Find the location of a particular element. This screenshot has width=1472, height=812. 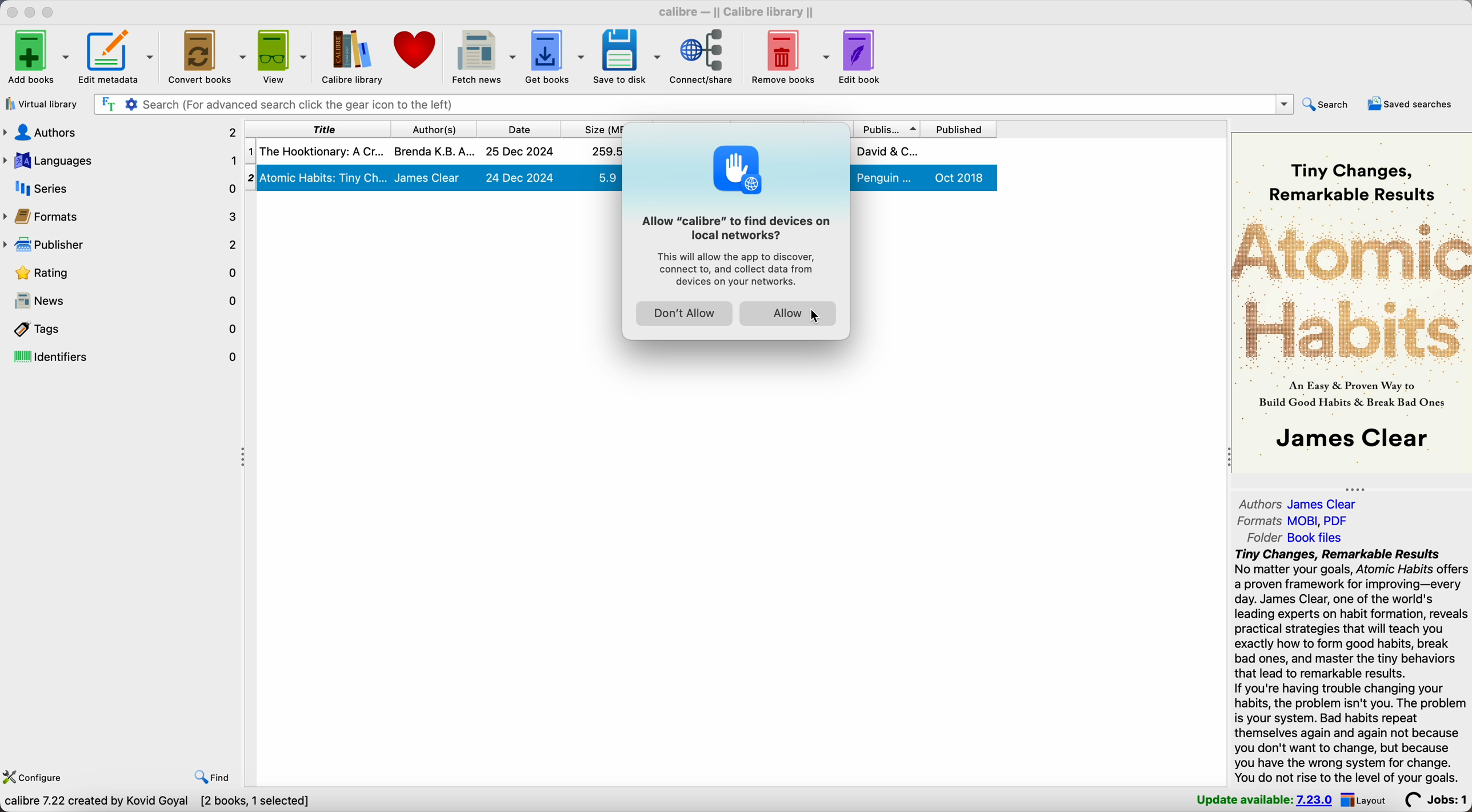

icon is located at coordinates (741, 171).